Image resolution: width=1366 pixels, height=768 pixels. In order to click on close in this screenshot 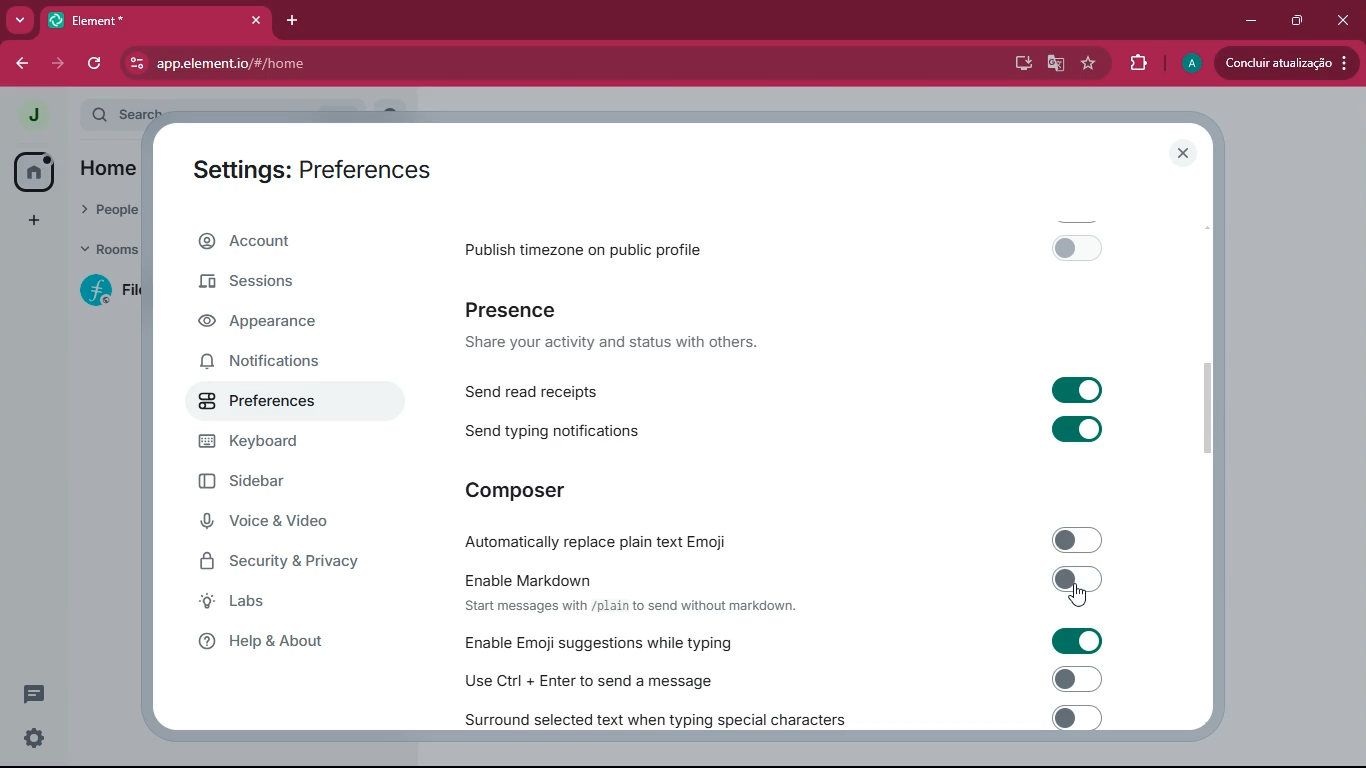, I will do `click(1180, 153)`.